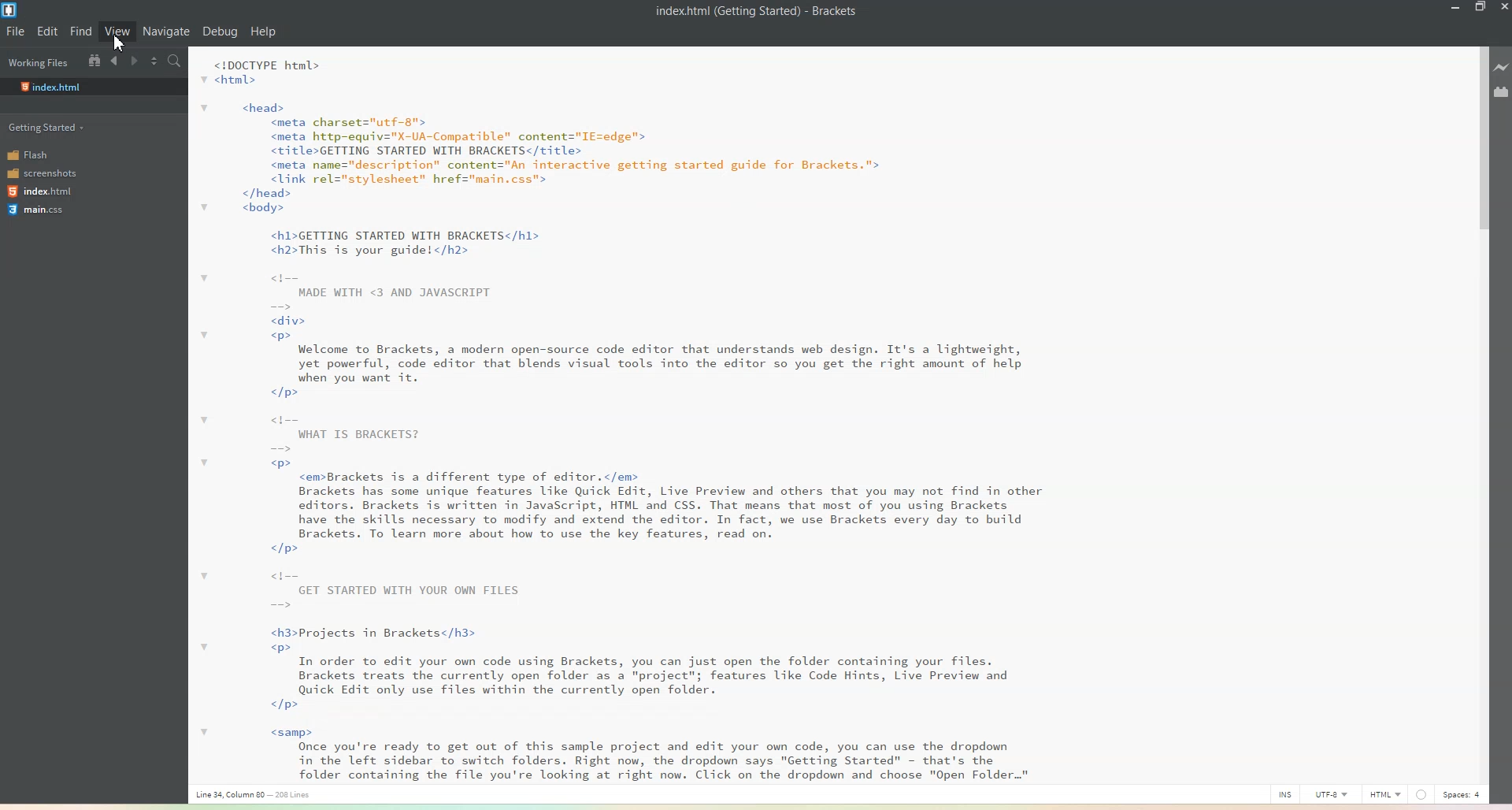 Image resolution: width=1512 pixels, height=810 pixels. Describe the element at coordinates (48, 32) in the screenshot. I see `Edit` at that location.